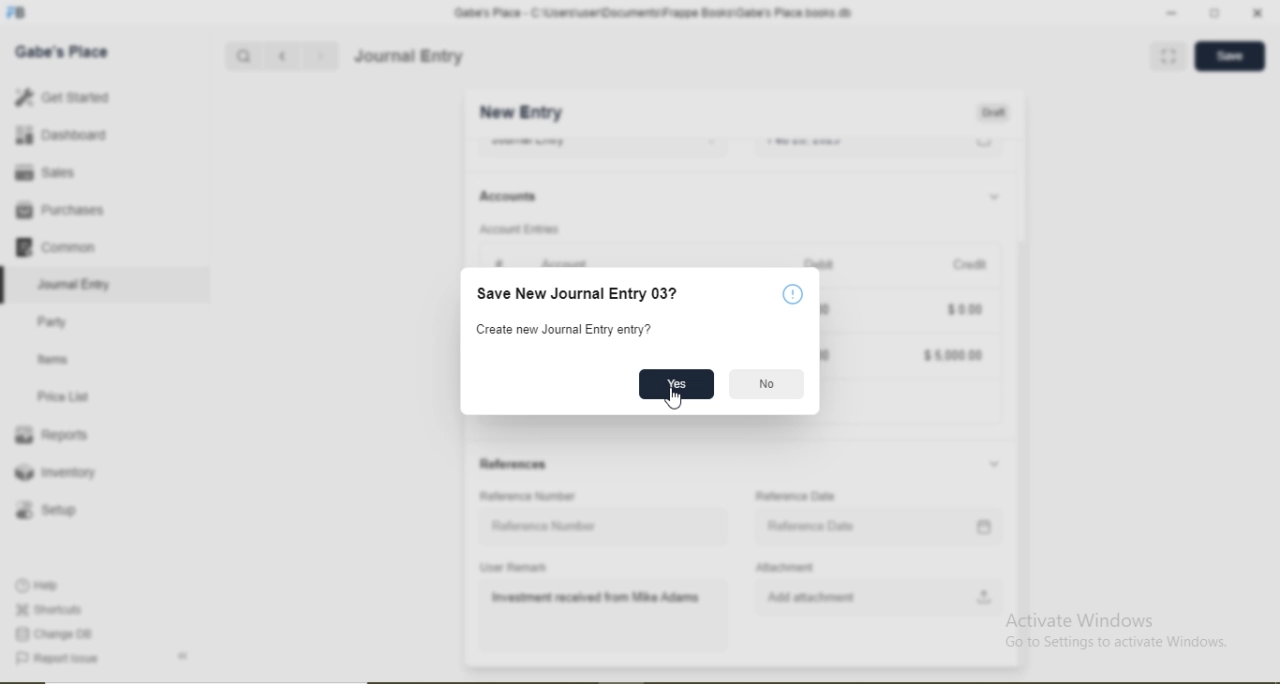 Image resolution: width=1280 pixels, height=684 pixels. Describe the element at coordinates (61, 96) in the screenshot. I see `Get Started` at that location.